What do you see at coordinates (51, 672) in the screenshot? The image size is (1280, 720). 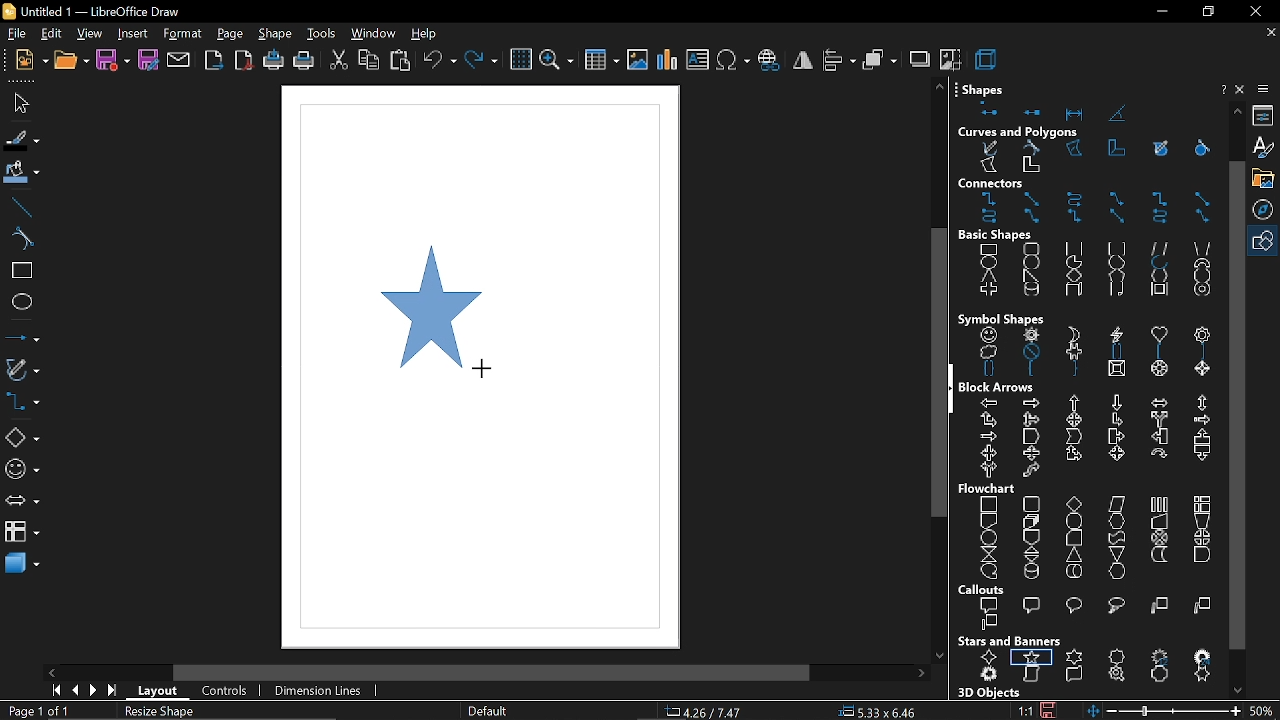 I see `move left` at bounding box center [51, 672].